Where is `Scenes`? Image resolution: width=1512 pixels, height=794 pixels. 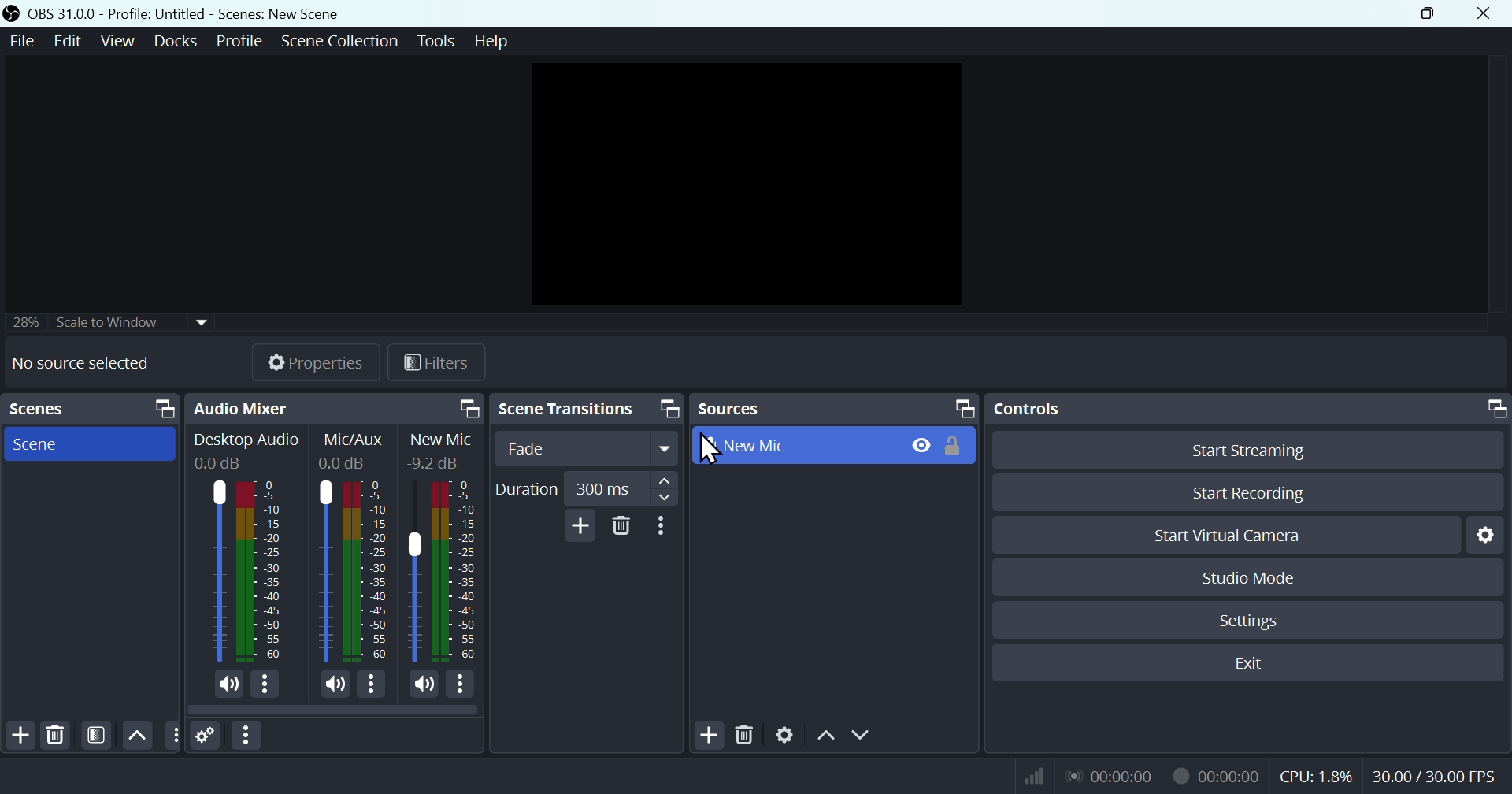 Scenes is located at coordinates (89, 409).